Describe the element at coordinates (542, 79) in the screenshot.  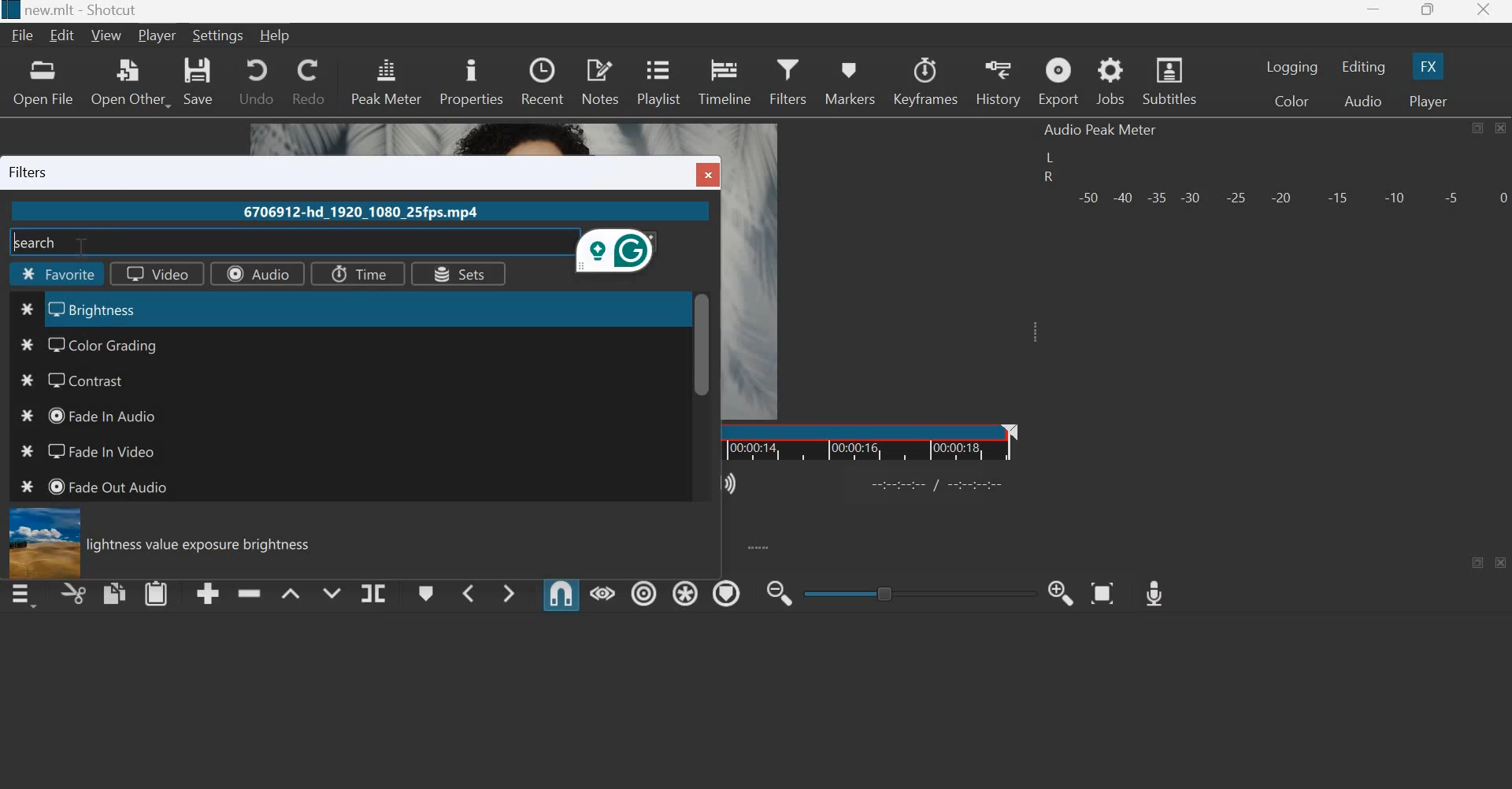
I see `recent` at that location.